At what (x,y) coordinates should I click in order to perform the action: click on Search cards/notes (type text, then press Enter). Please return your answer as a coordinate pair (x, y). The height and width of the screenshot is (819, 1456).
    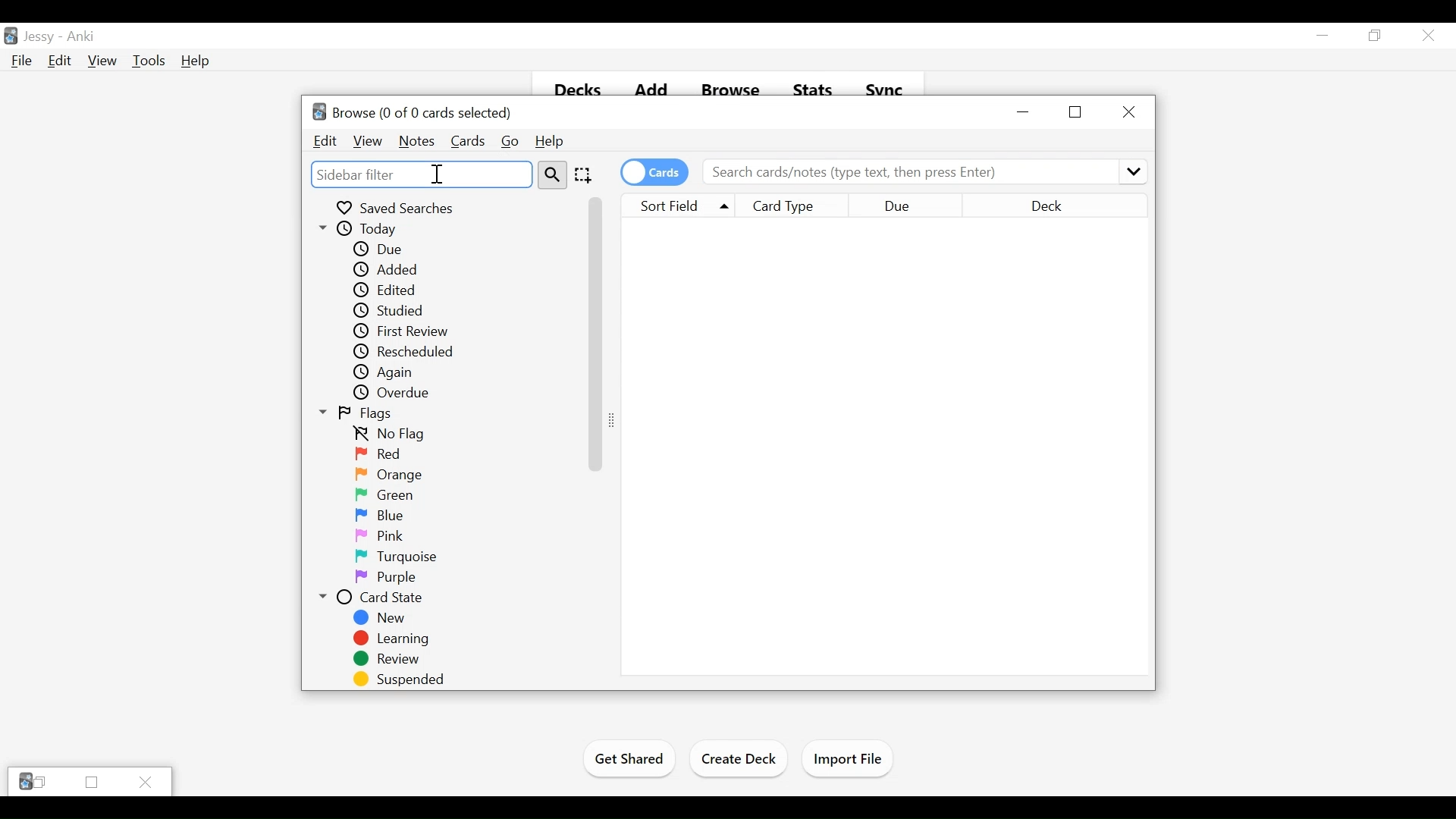
    Looking at the image, I should click on (924, 171).